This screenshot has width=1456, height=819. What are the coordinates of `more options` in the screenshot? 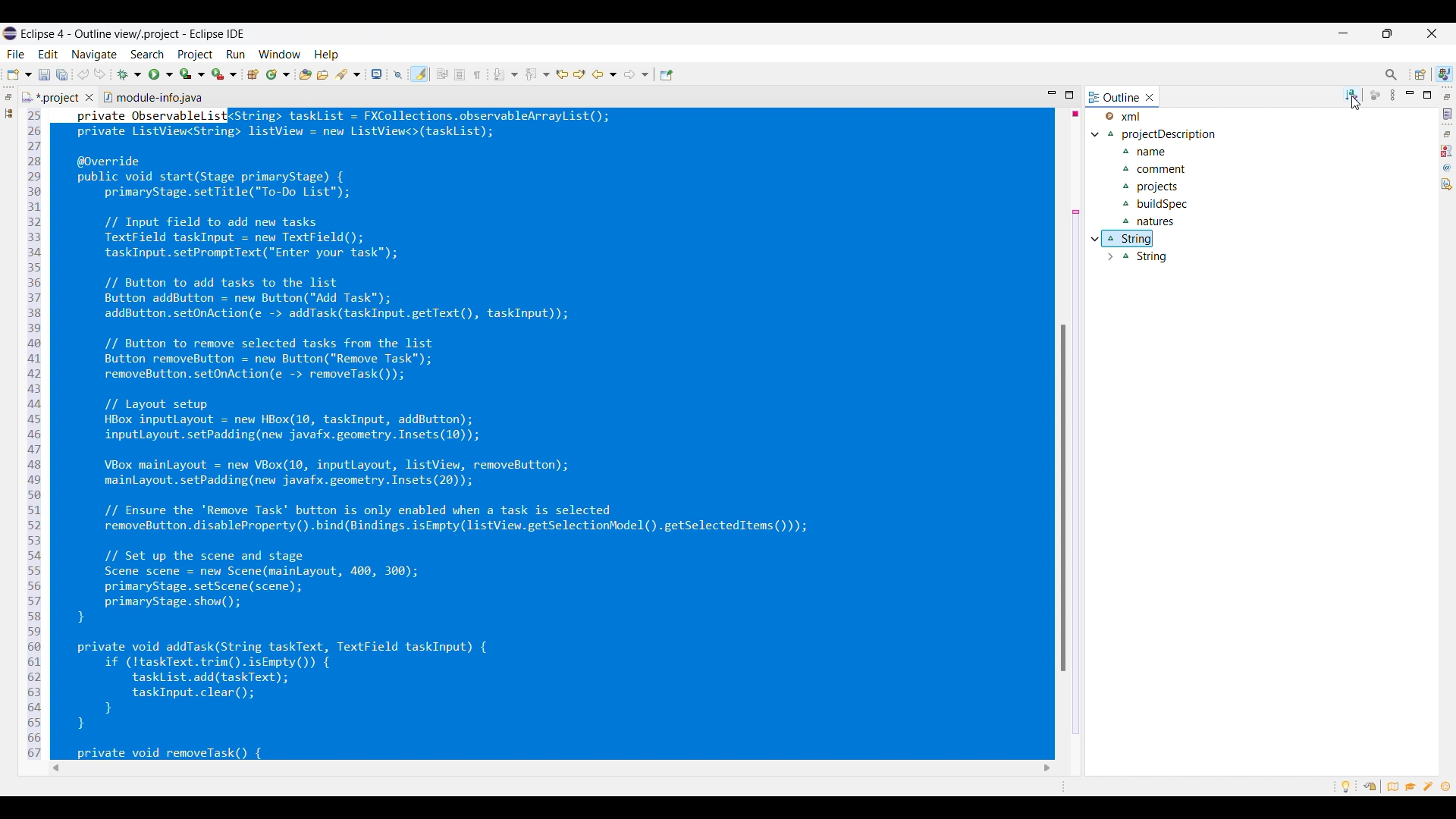 It's located at (1395, 98).